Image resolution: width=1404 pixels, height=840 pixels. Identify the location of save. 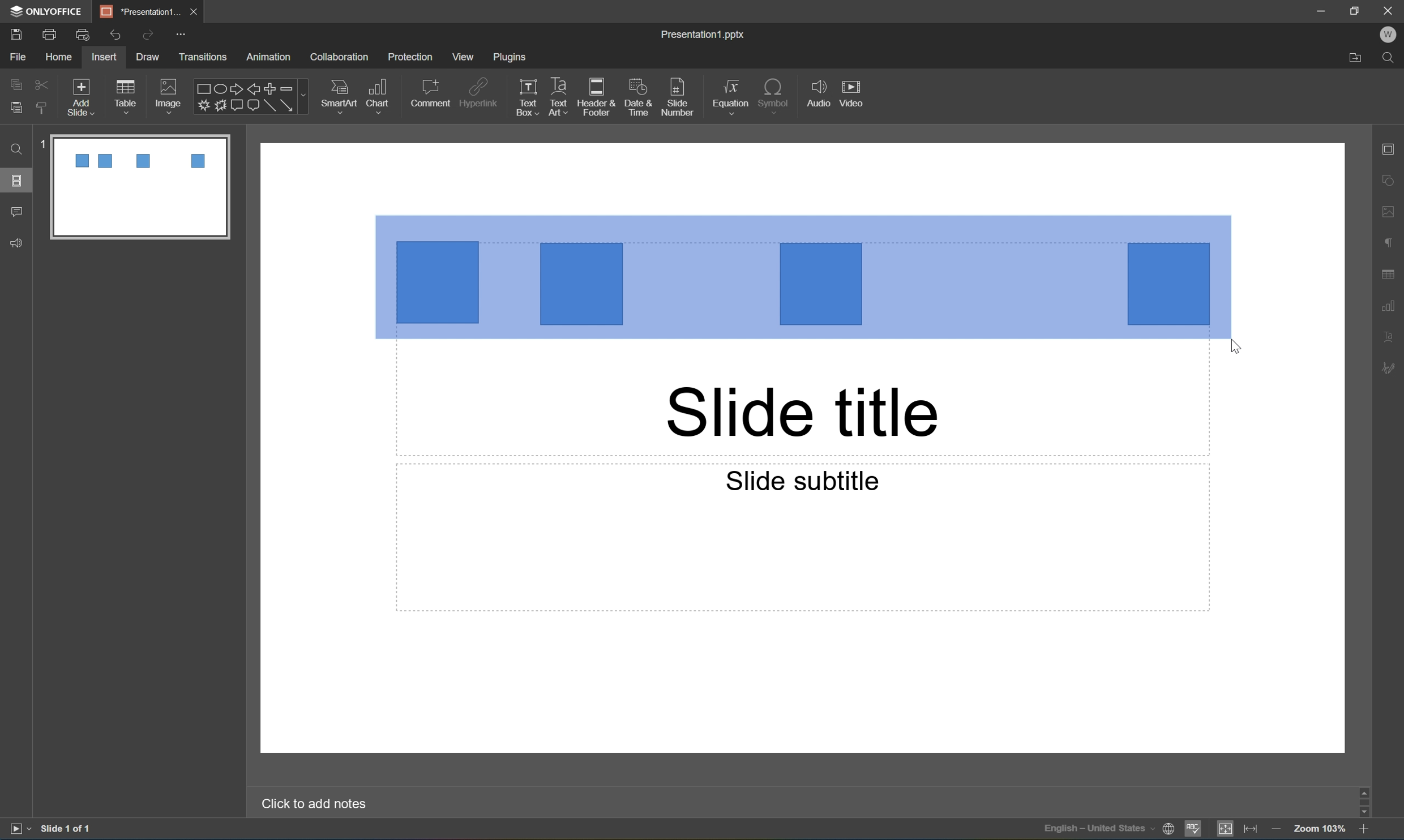
(14, 33).